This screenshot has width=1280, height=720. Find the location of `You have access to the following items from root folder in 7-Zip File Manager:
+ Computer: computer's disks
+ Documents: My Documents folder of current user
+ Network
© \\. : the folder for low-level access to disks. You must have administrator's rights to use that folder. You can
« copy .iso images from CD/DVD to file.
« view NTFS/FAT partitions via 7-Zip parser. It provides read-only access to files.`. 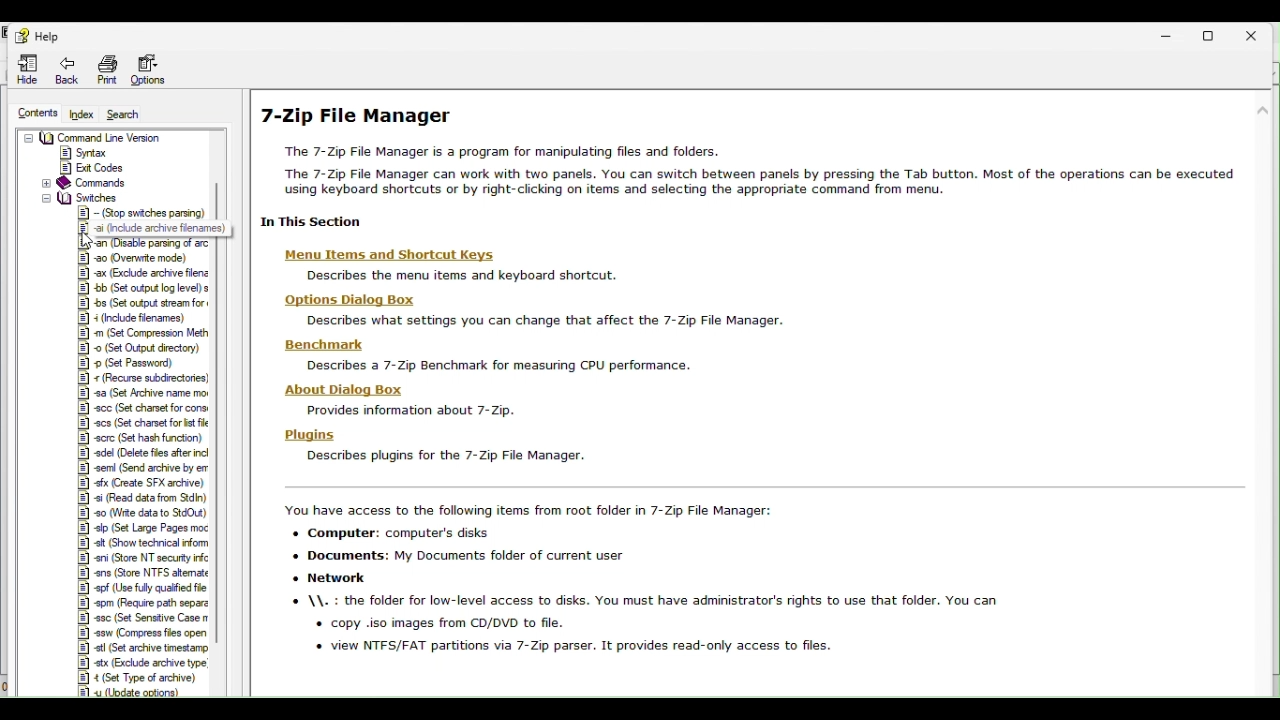

You have access to the following items from root folder in 7-Zip File Manager:
+ Computer: computer's disks
+ Documents: My Documents folder of current user
+ Network
© \\. : the folder for low-level access to disks. You must have administrator's rights to use that folder. You can
« copy .iso images from CD/DVD to file.
« view NTFS/FAT partitions via 7-Zip parser. It provides read-only access to files. is located at coordinates (637, 580).